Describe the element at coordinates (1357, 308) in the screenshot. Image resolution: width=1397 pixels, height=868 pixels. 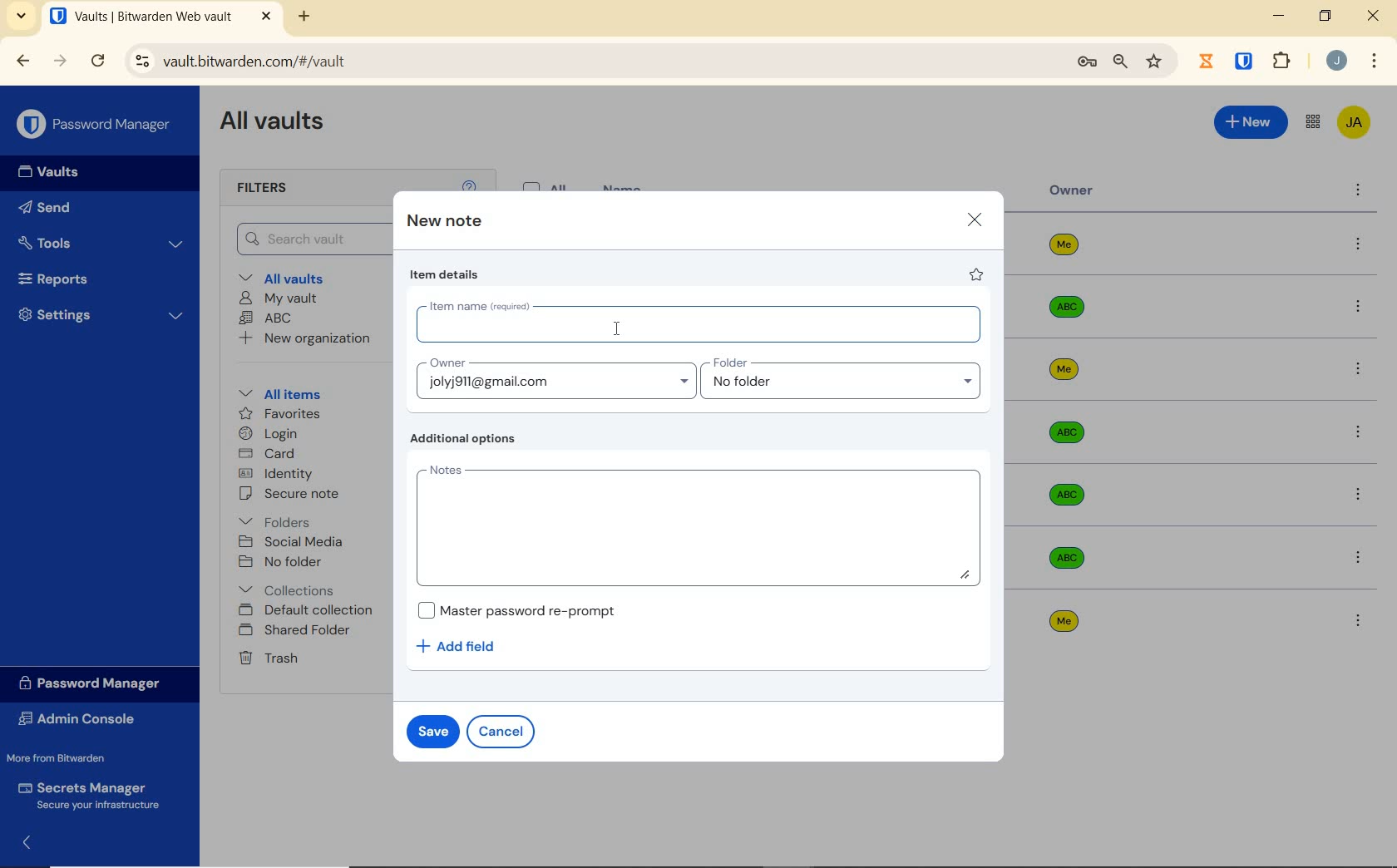
I see `more options` at that location.